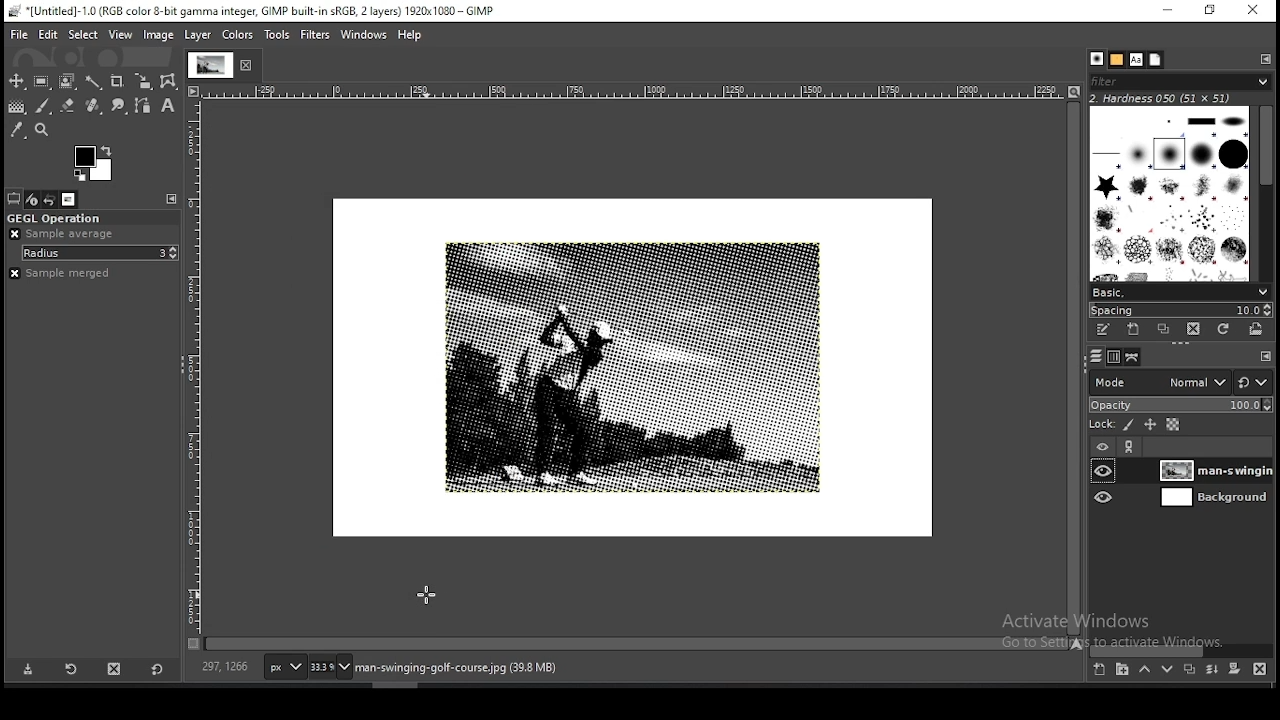  Describe the element at coordinates (1155, 60) in the screenshot. I see `document history` at that location.